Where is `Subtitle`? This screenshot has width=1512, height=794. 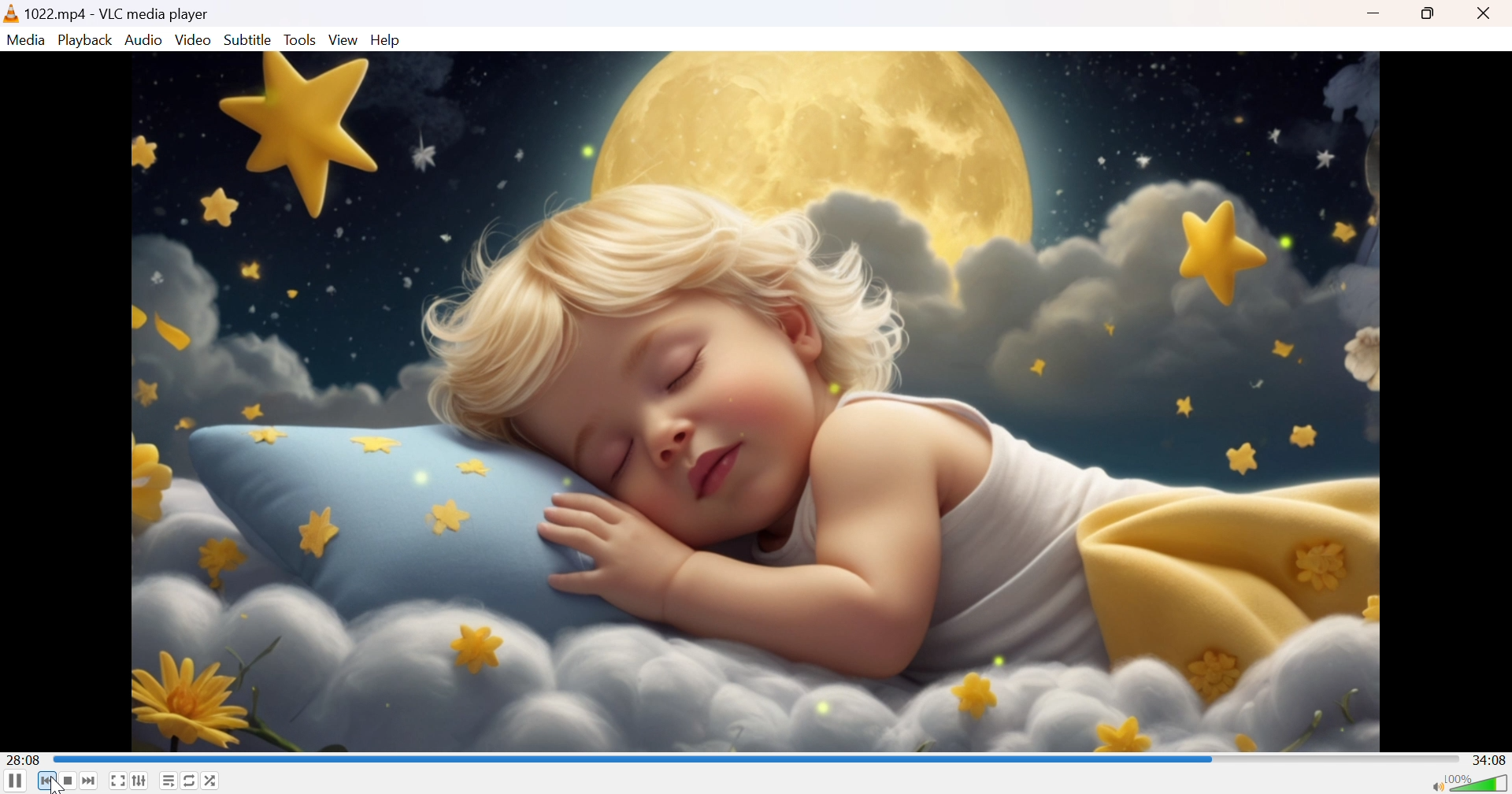 Subtitle is located at coordinates (249, 39).